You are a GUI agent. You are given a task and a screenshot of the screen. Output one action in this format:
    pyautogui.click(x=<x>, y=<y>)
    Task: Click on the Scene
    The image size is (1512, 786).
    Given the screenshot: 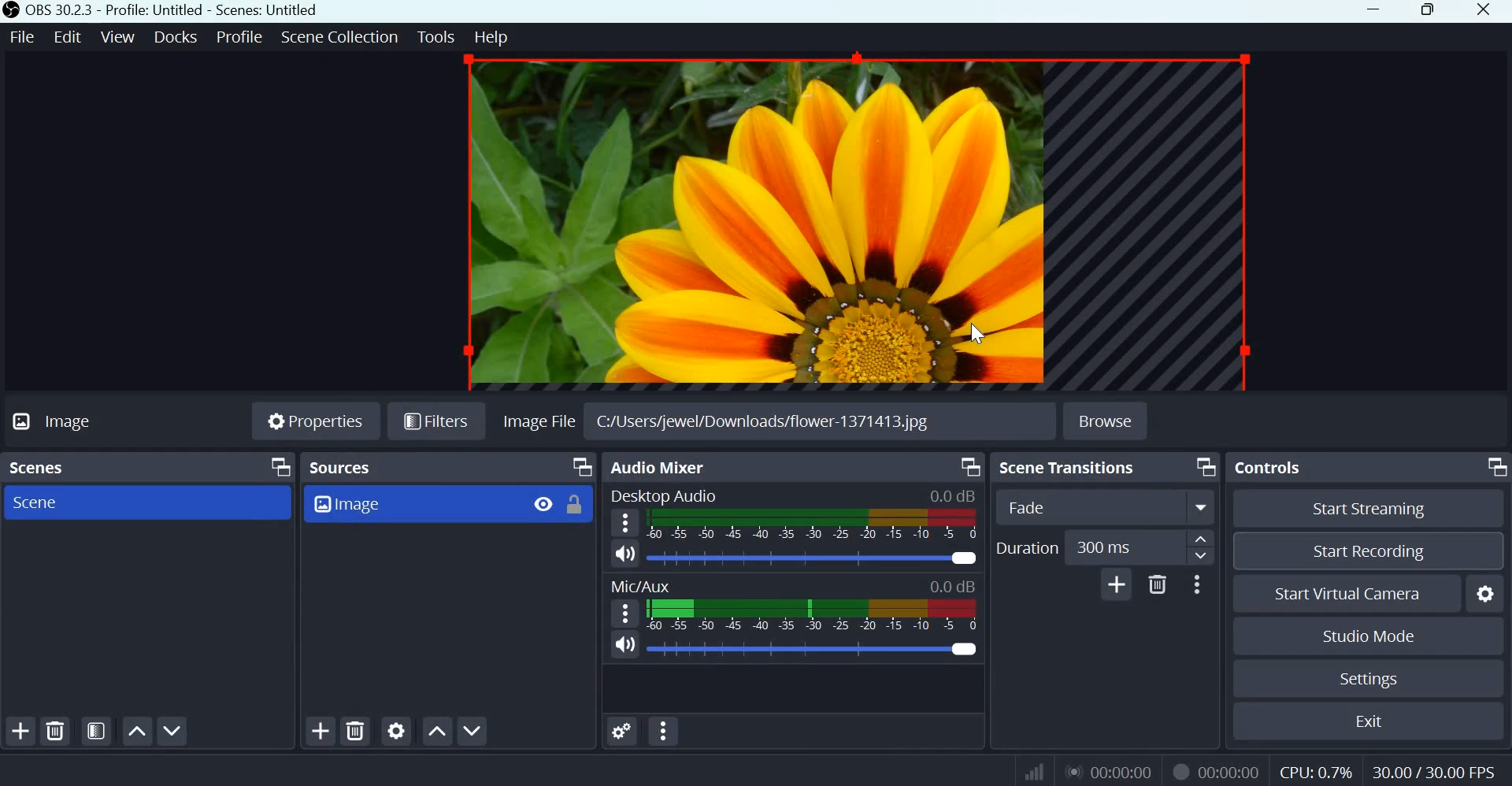 What is the action you would take?
    pyautogui.click(x=46, y=504)
    